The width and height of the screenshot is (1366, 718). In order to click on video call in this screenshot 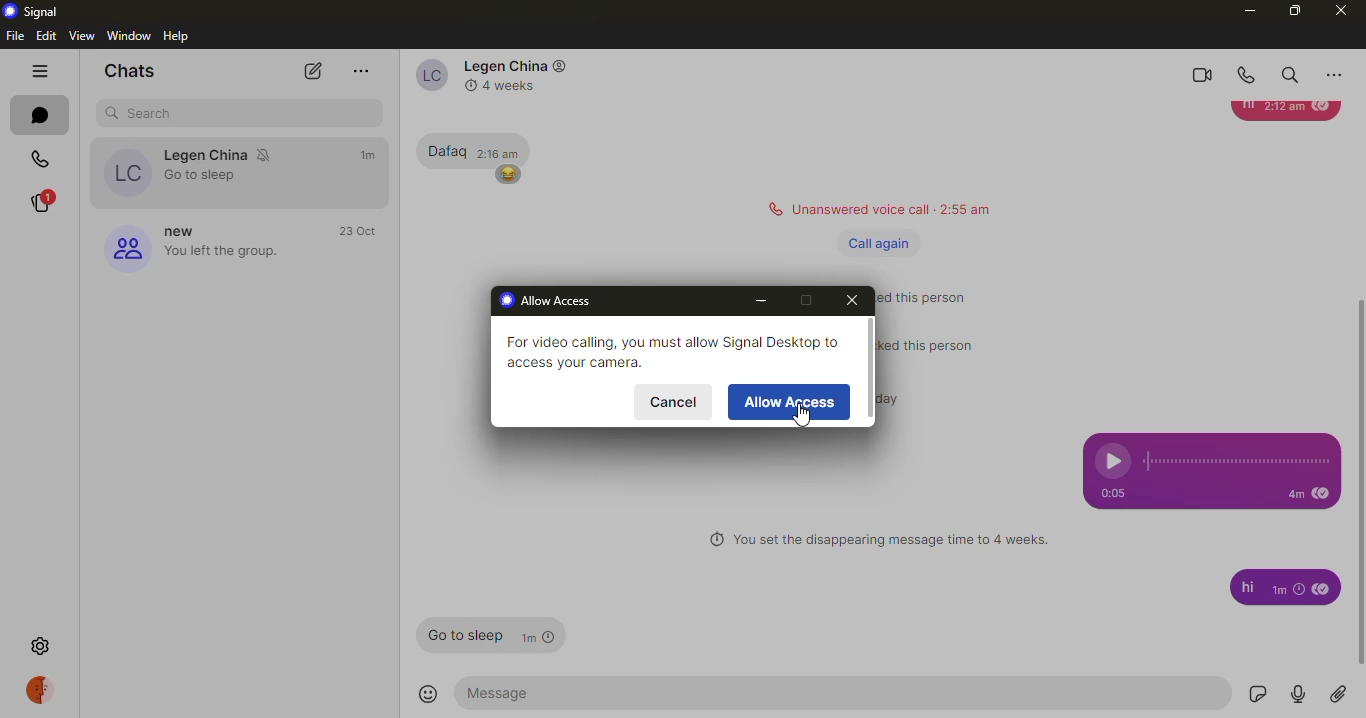, I will do `click(1205, 73)`.